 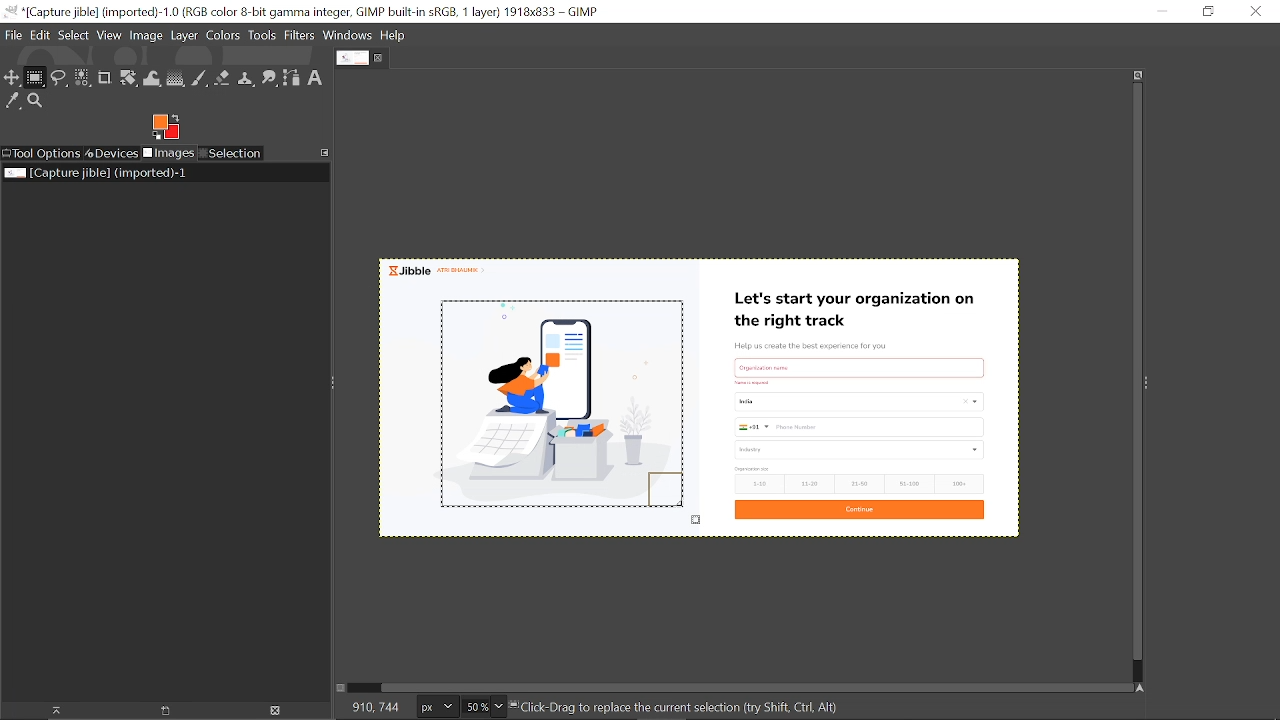 What do you see at coordinates (1139, 687) in the screenshot?
I see `Navigate this window` at bounding box center [1139, 687].